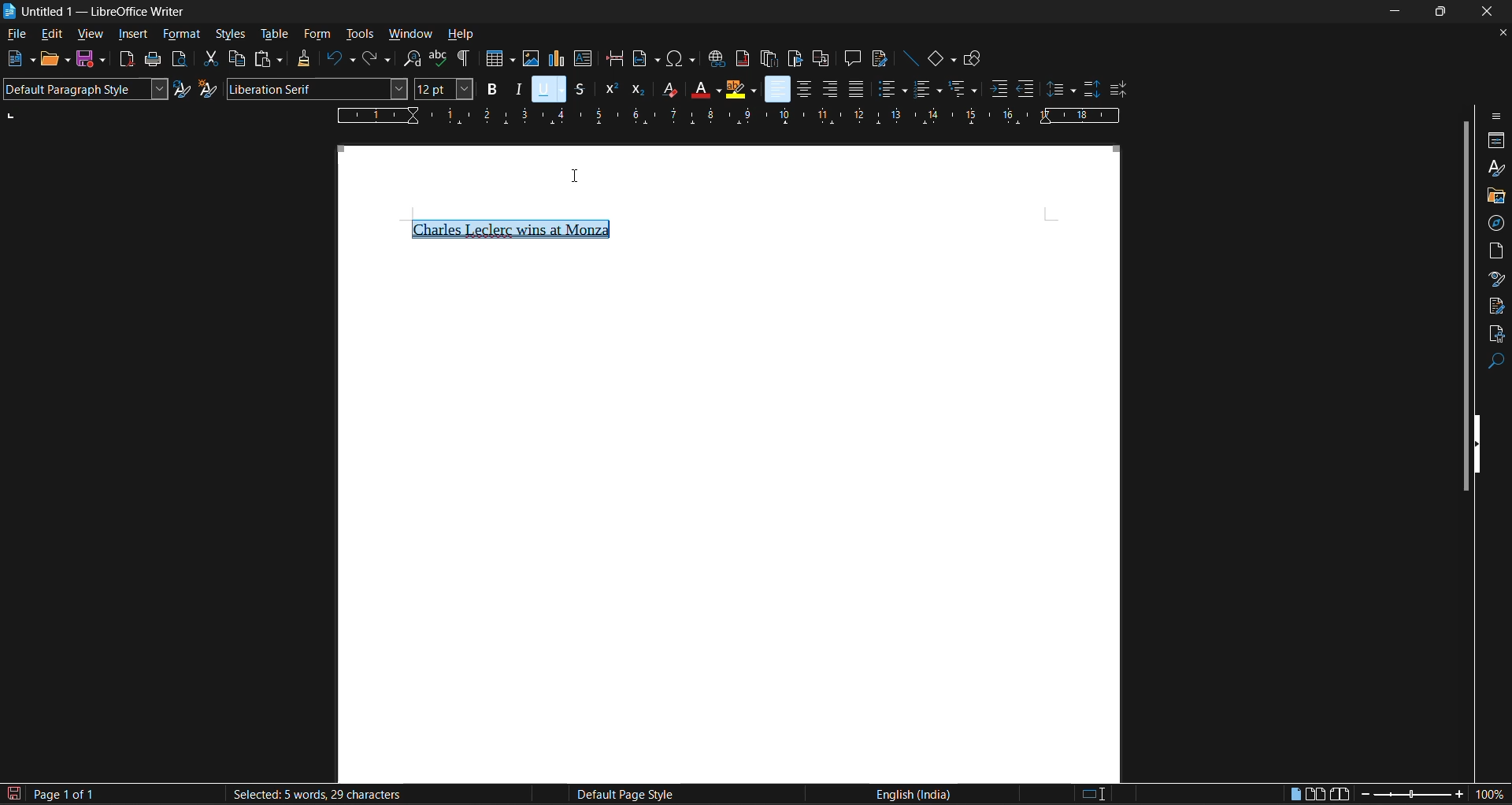 This screenshot has width=1512, height=805. I want to click on clone formatting, so click(305, 58).